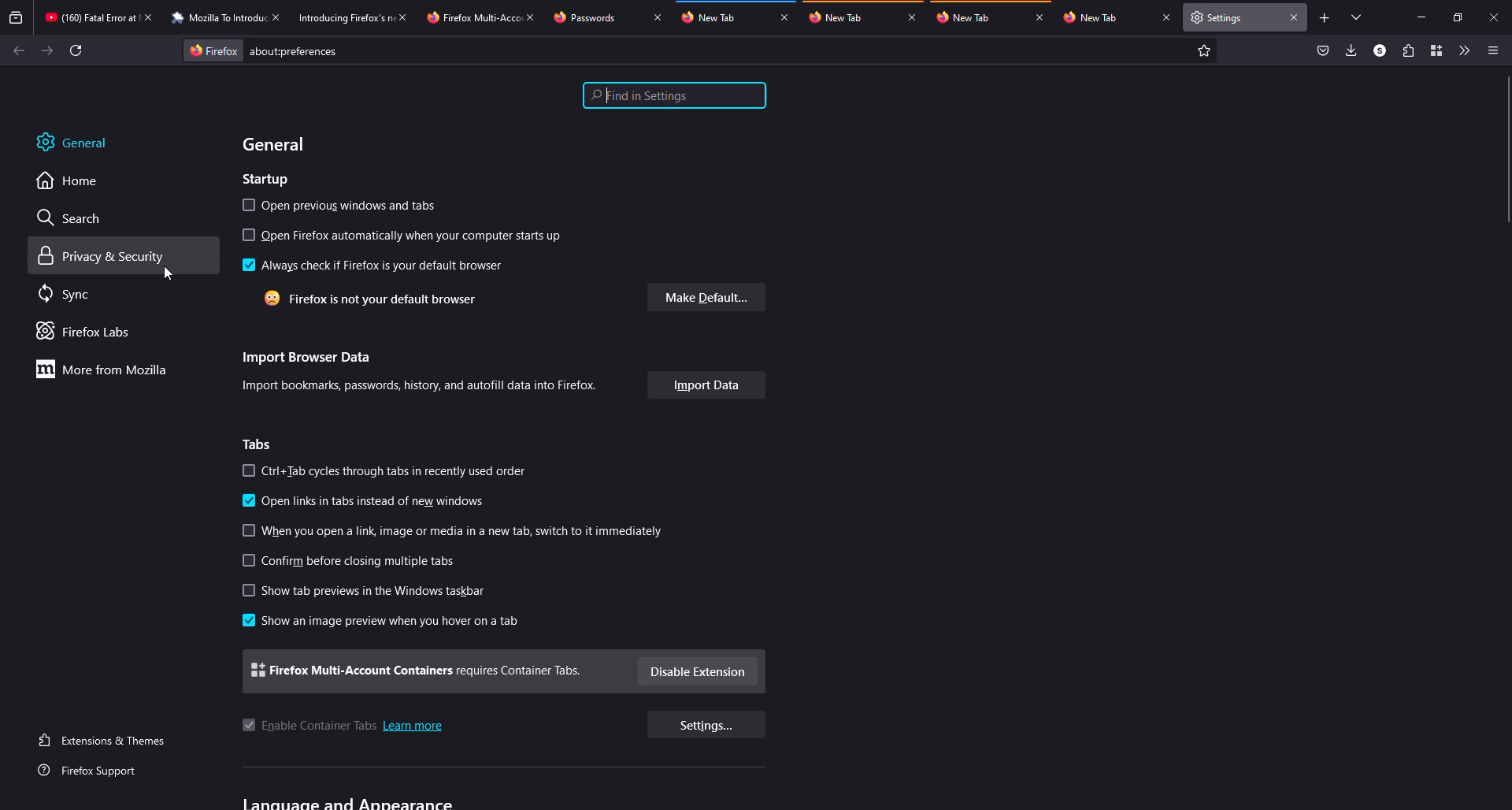  What do you see at coordinates (395, 623) in the screenshot?
I see `show an image preview` at bounding box center [395, 623].